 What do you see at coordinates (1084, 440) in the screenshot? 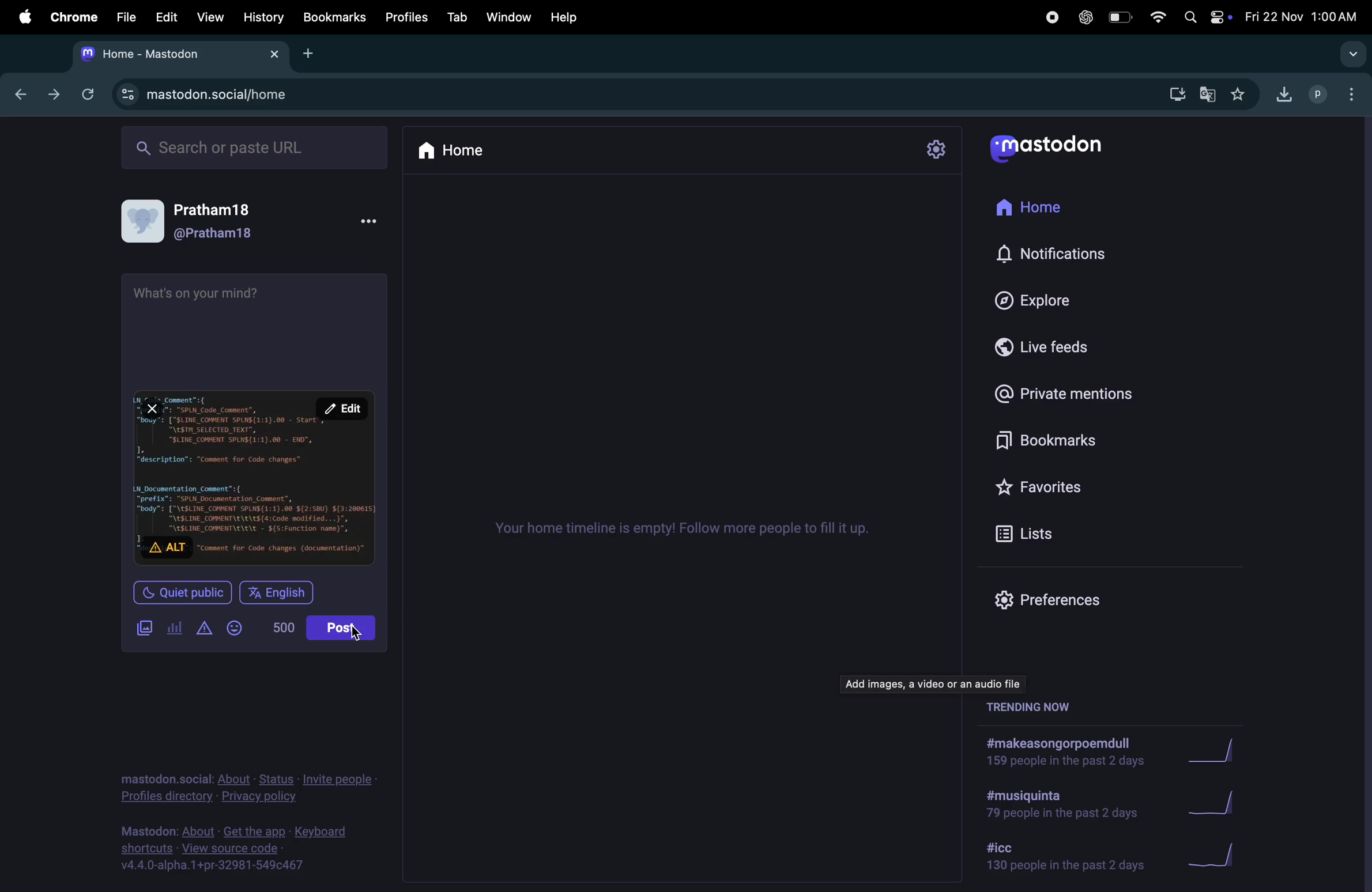
I see `bookmarks` at bounding box center [1084, 440].